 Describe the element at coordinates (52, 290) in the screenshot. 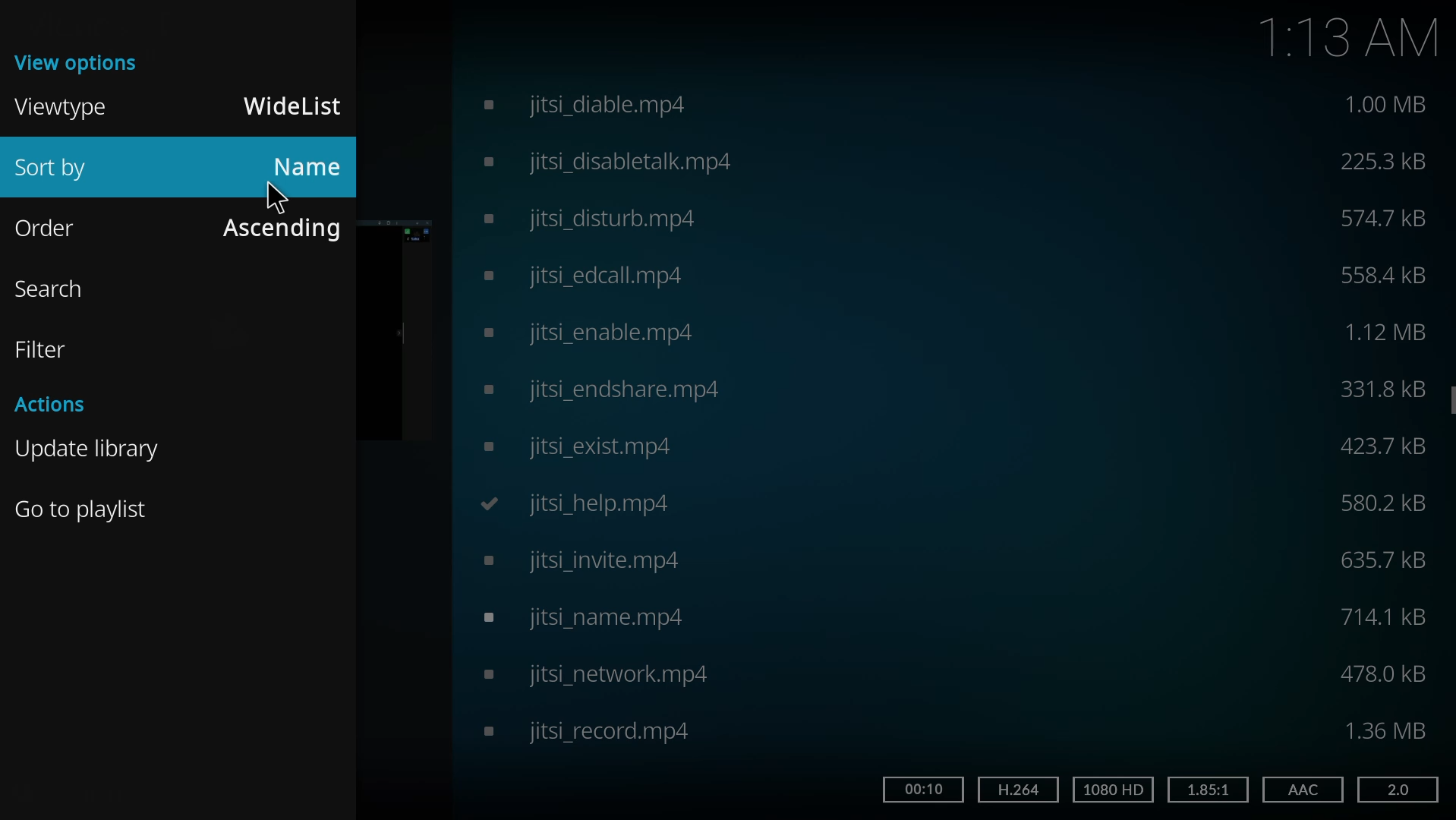

I see `search` at that location.